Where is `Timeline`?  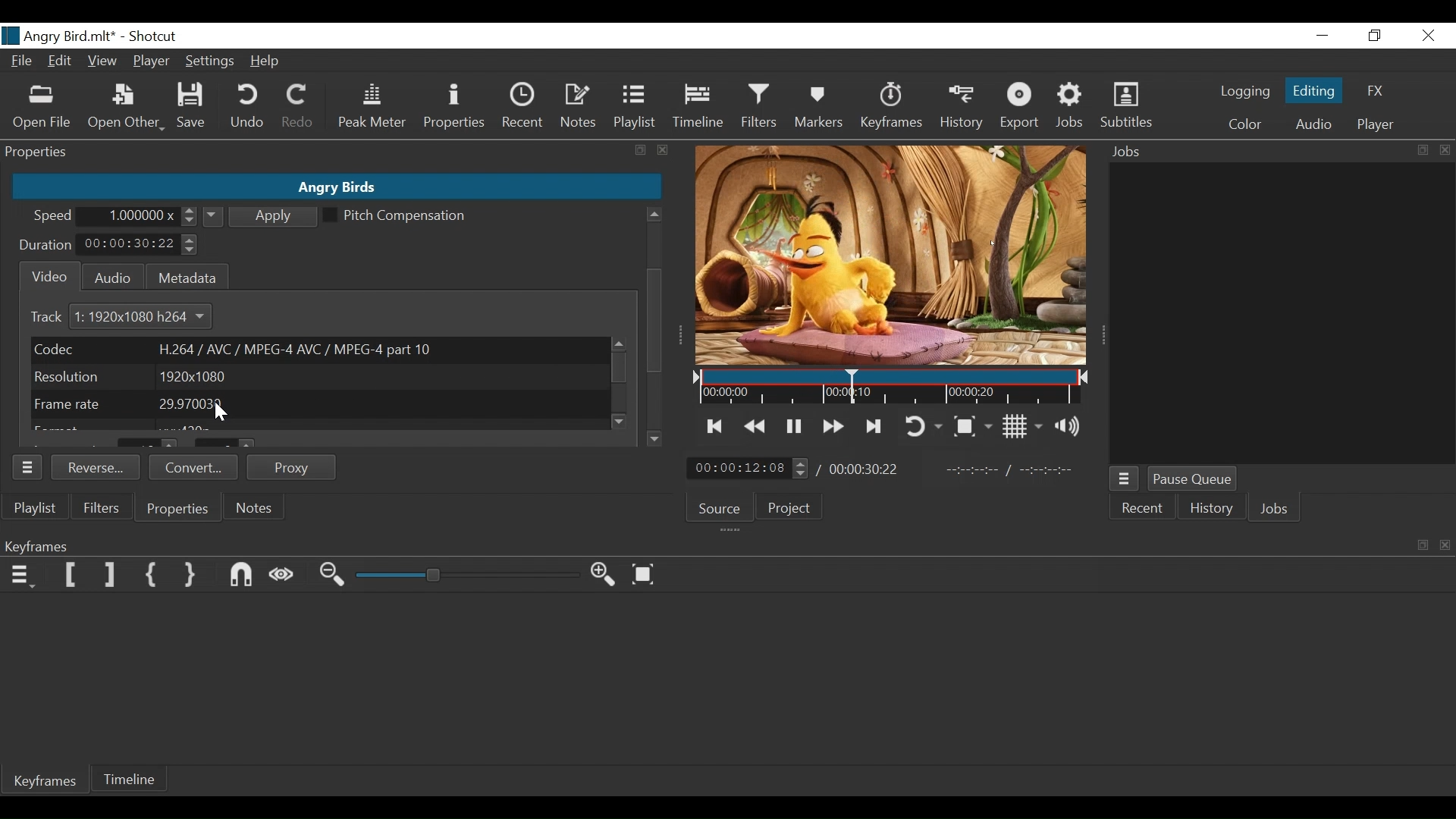
Timeline is located at coordinates (893, 388).